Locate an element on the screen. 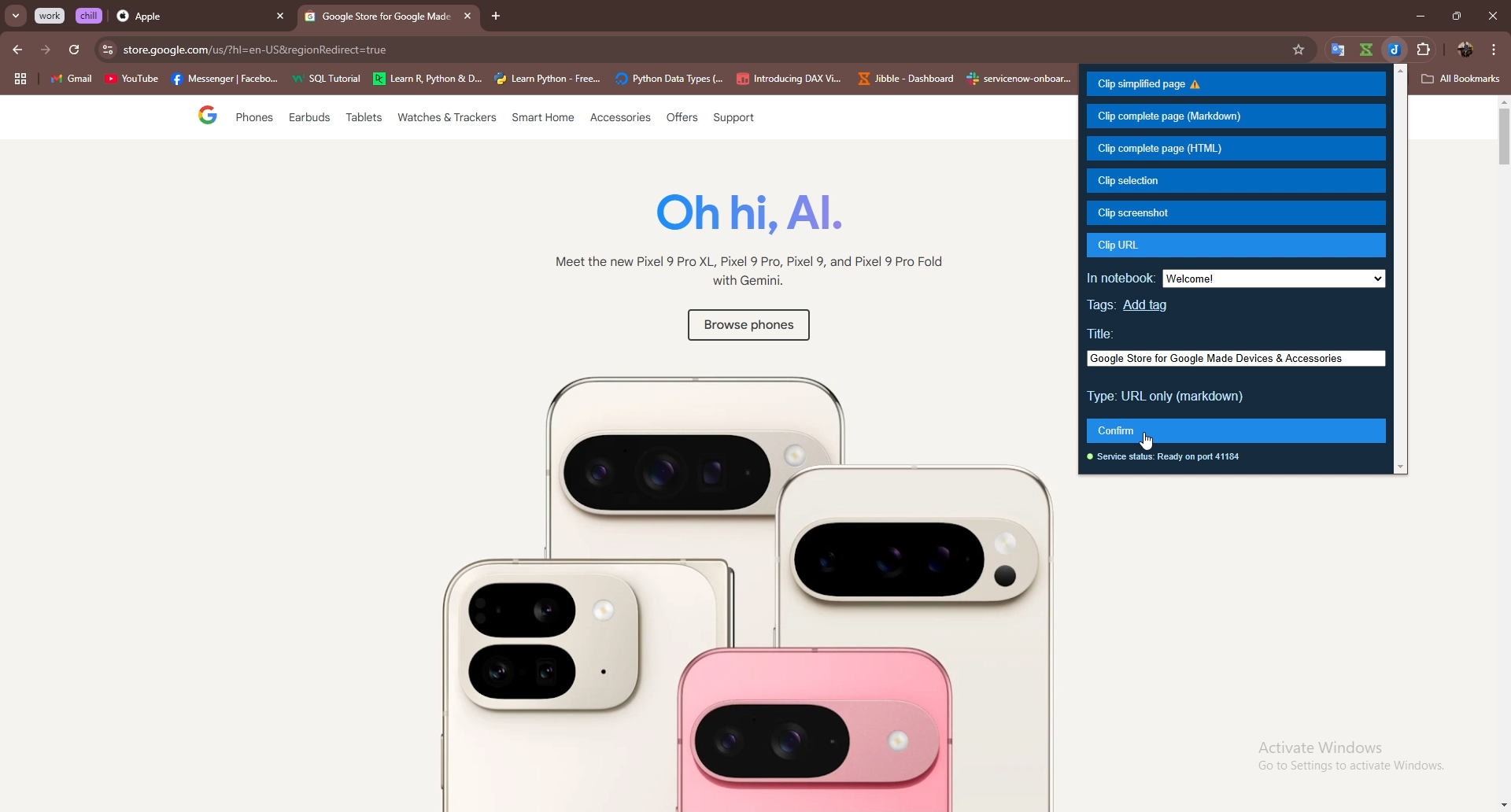  add tab is located at coordinates (497, 17).